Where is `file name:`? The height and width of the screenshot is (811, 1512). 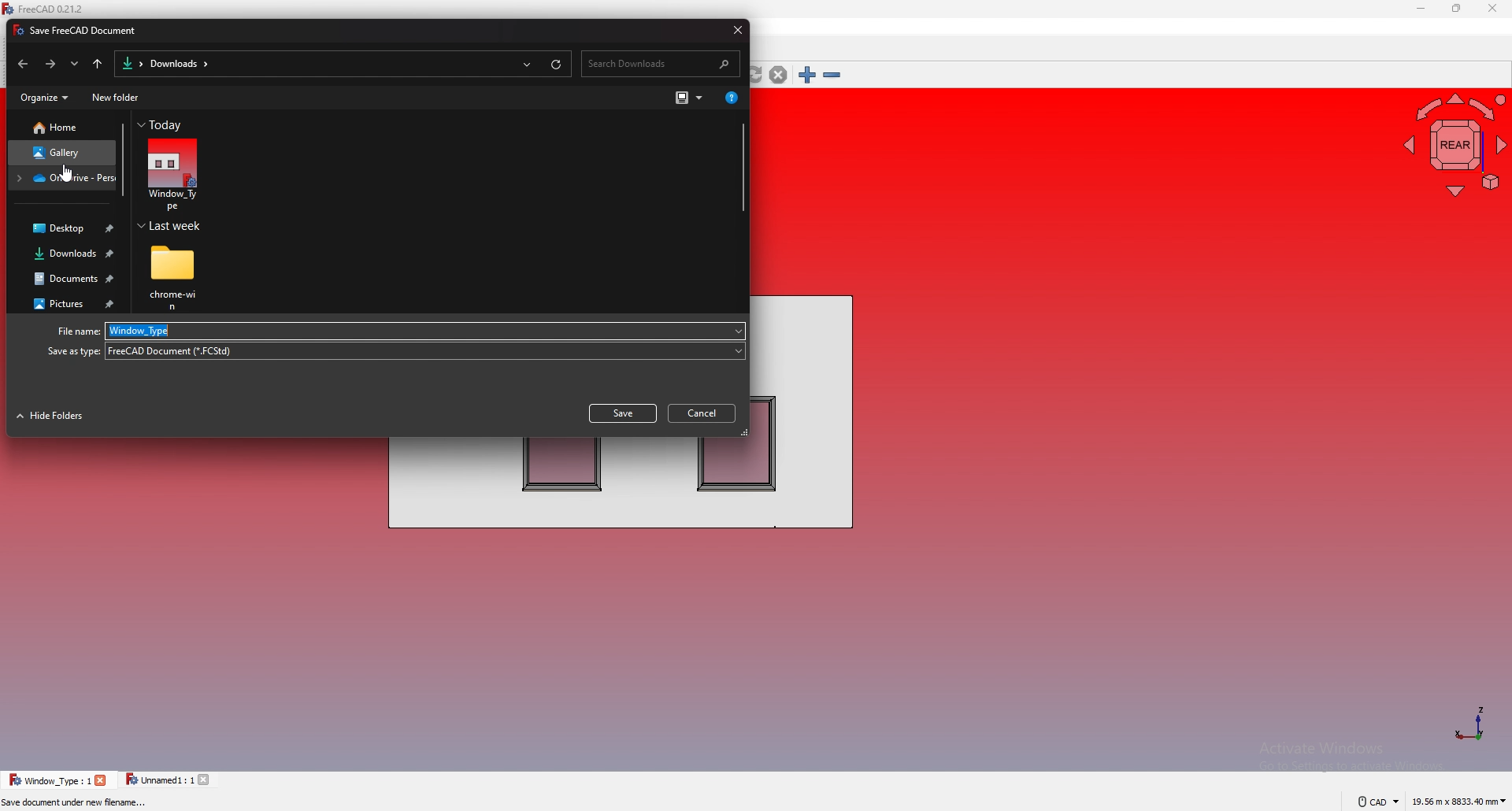 file name: is located at coordinates (74, 332).